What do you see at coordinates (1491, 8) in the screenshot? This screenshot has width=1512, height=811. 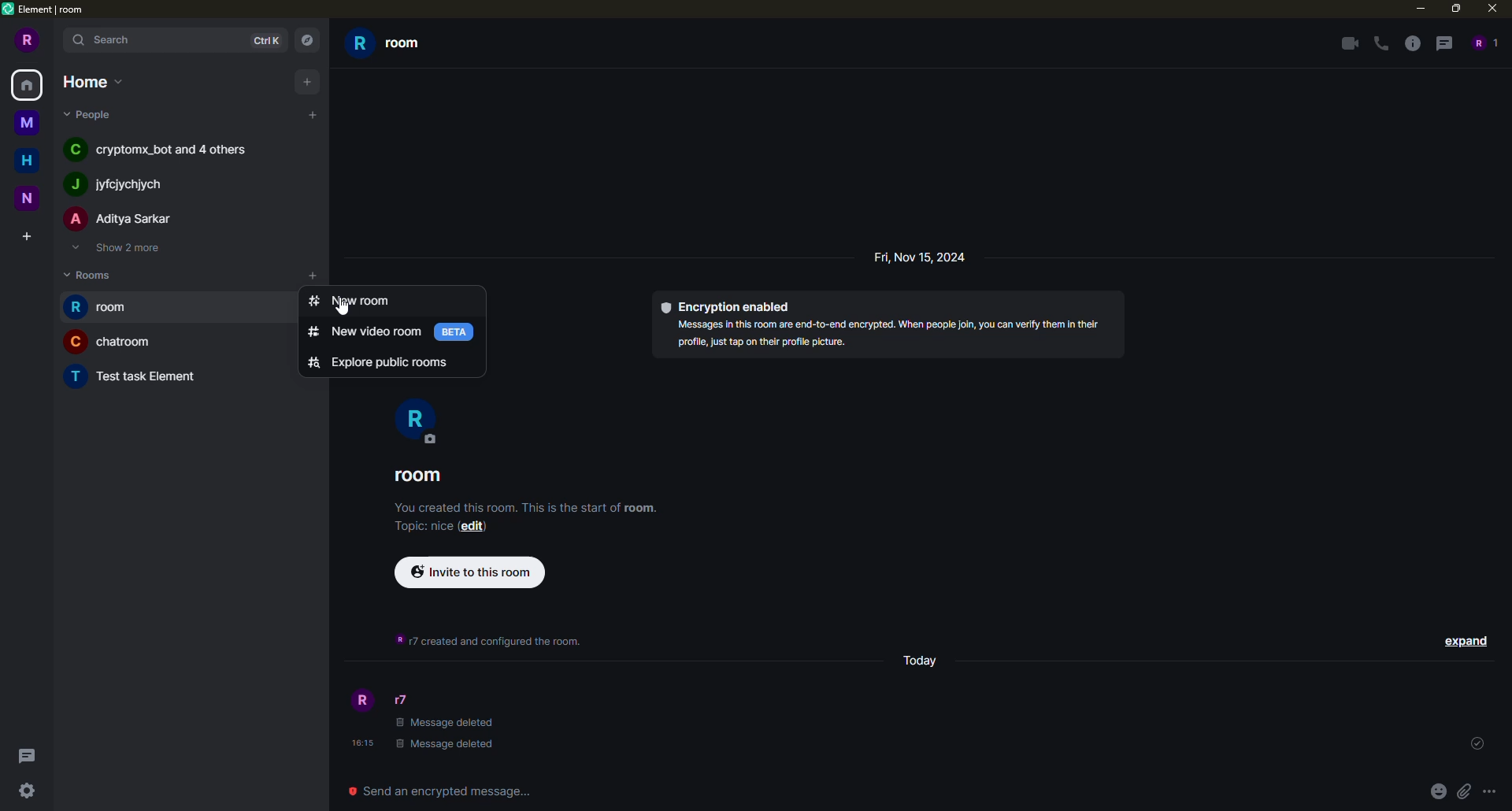 I see `close` at bounding box center [1491, 8].